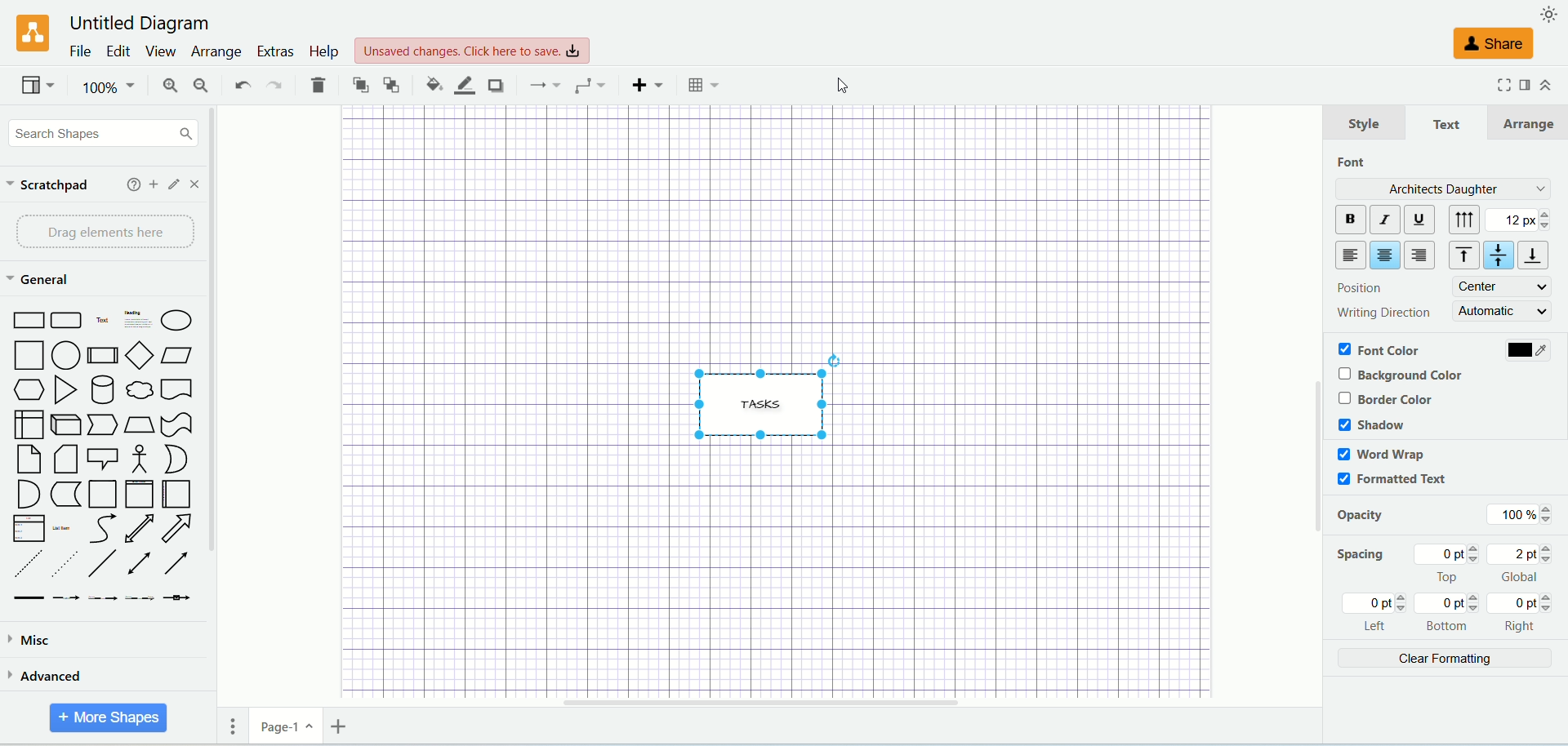 Image resolution: width=1568 pixels, height=746 pixels. I want to click on Rounded Rectangle, so click(68, 318).